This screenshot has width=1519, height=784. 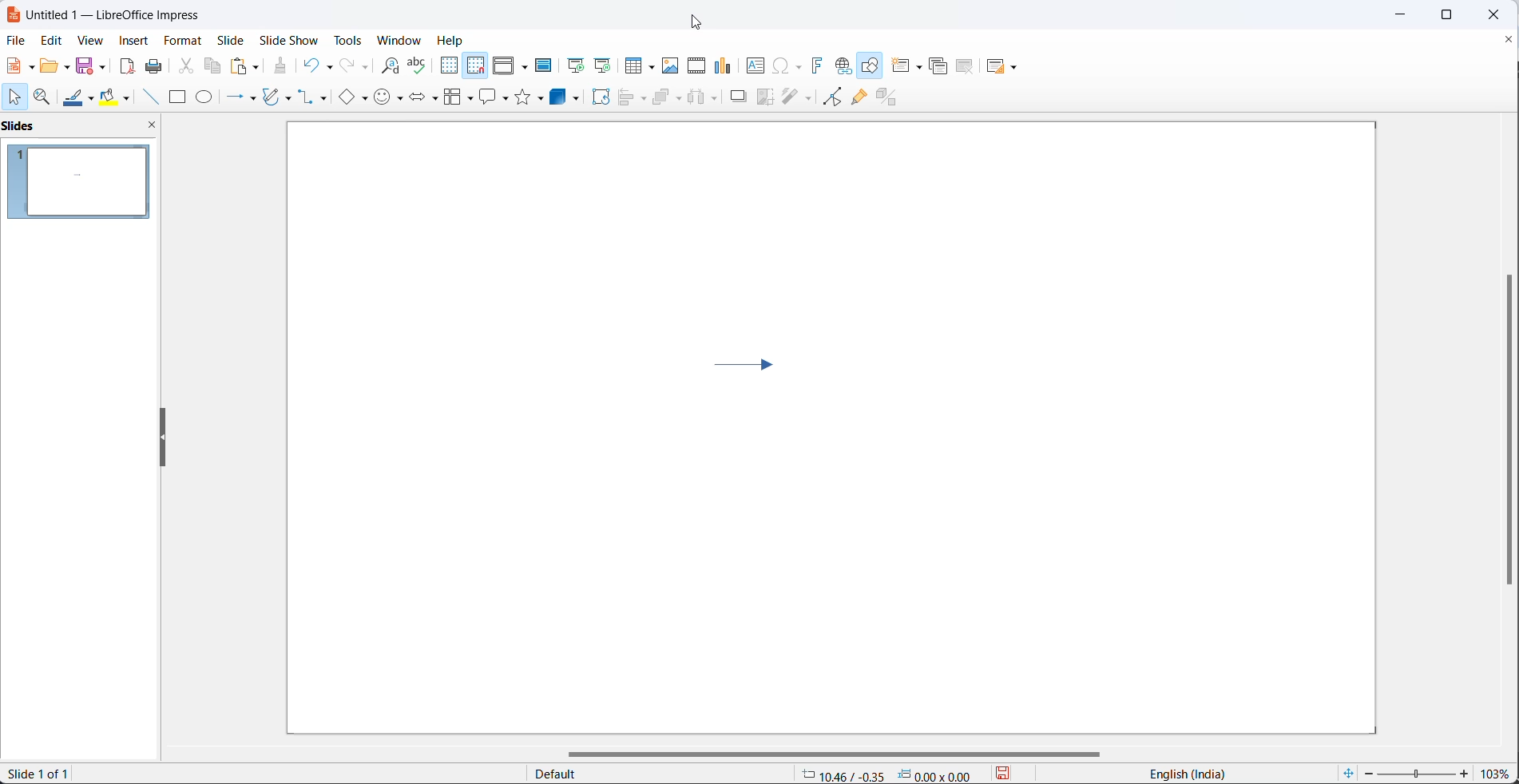 What do you see at coordinates (449, 68) in the screenshot?
I see `display grid` at bounding box center [449, 68].